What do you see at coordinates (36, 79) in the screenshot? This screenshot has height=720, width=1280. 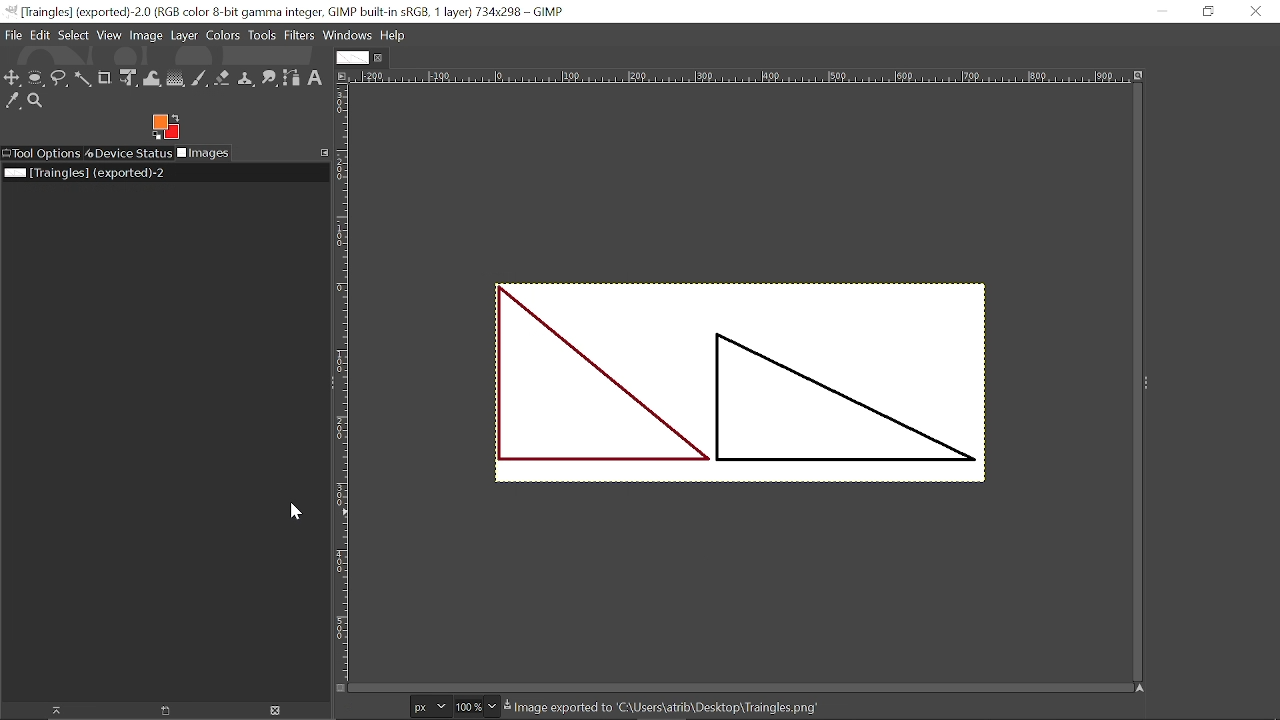 I see `Ellipse select tool` at bounding box center [36, 79].